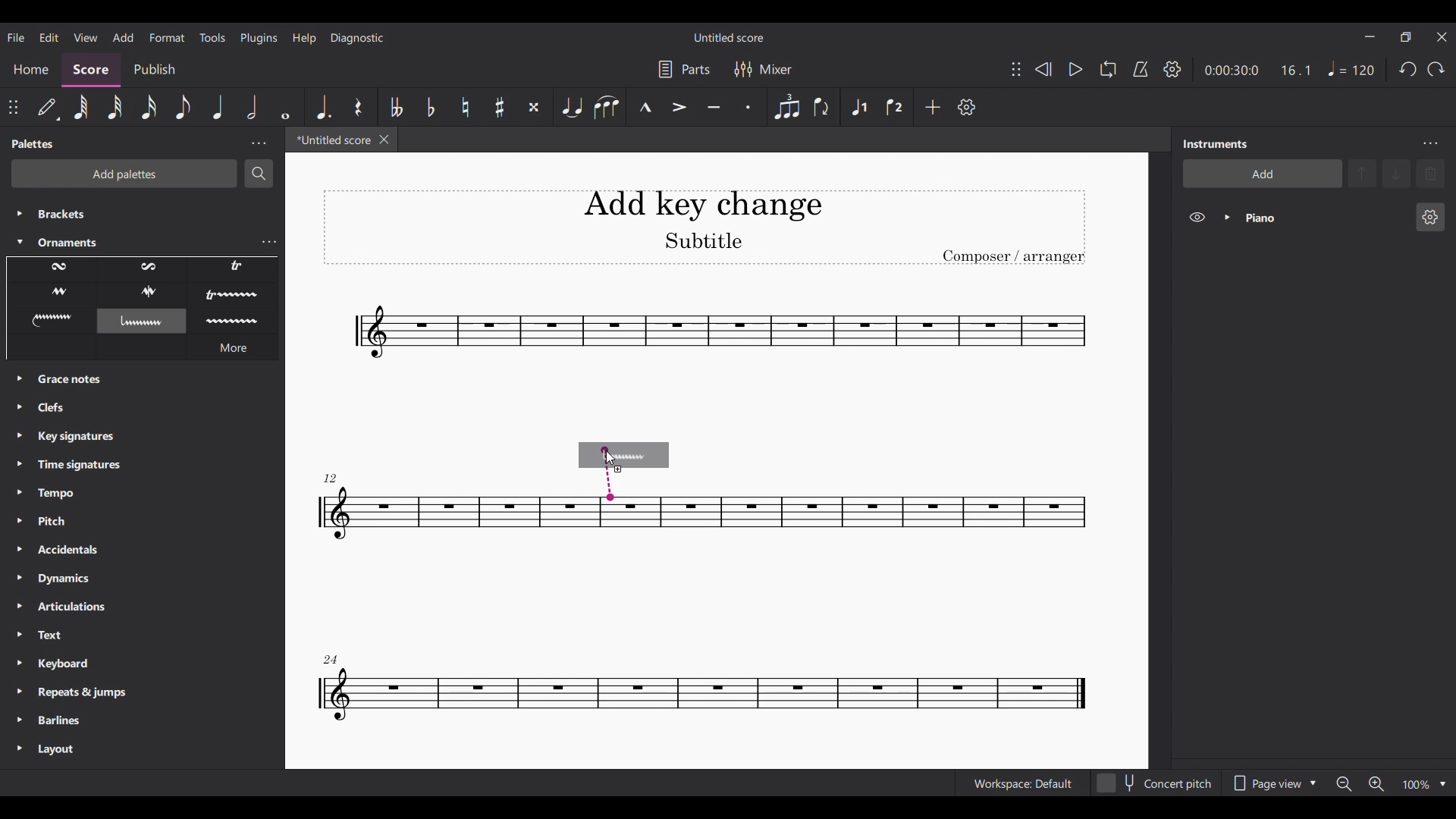  I want to click on Manage parts, so click(685, 70).